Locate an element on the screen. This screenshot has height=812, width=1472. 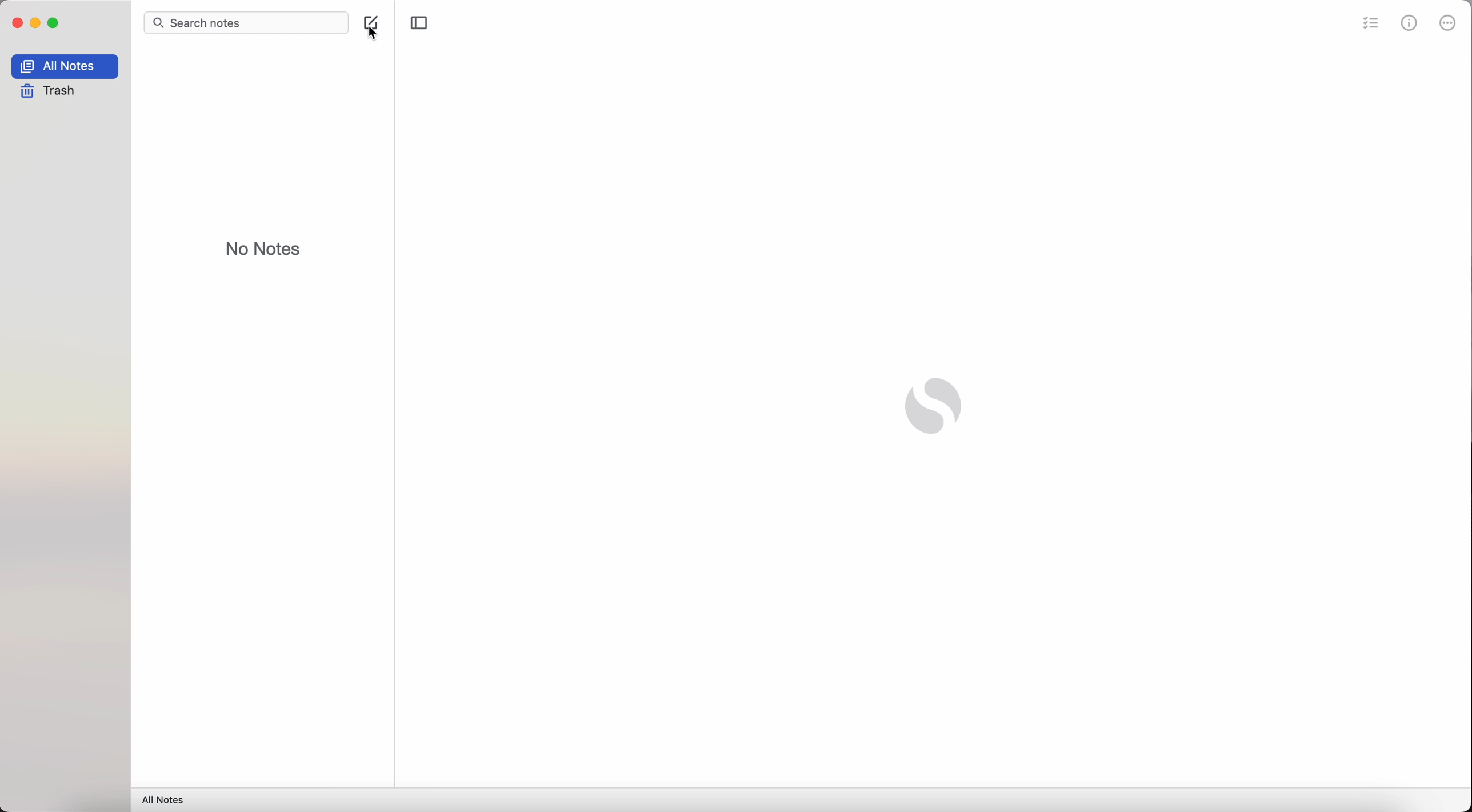
close is located at coordinates (16, 25).